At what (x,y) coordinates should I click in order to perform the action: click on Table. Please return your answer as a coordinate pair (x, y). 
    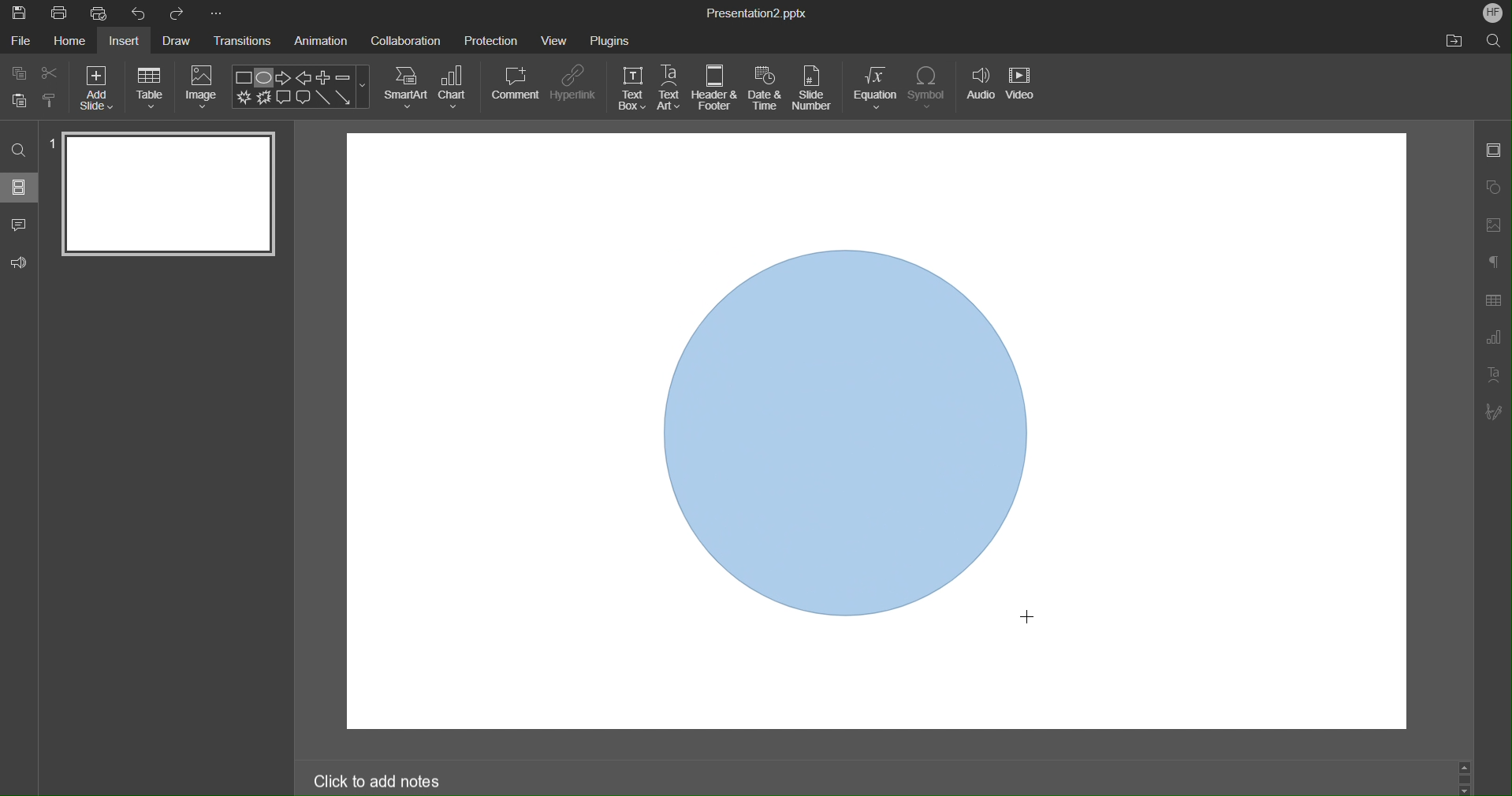
    Looking at the image, I should click on (150, 87).